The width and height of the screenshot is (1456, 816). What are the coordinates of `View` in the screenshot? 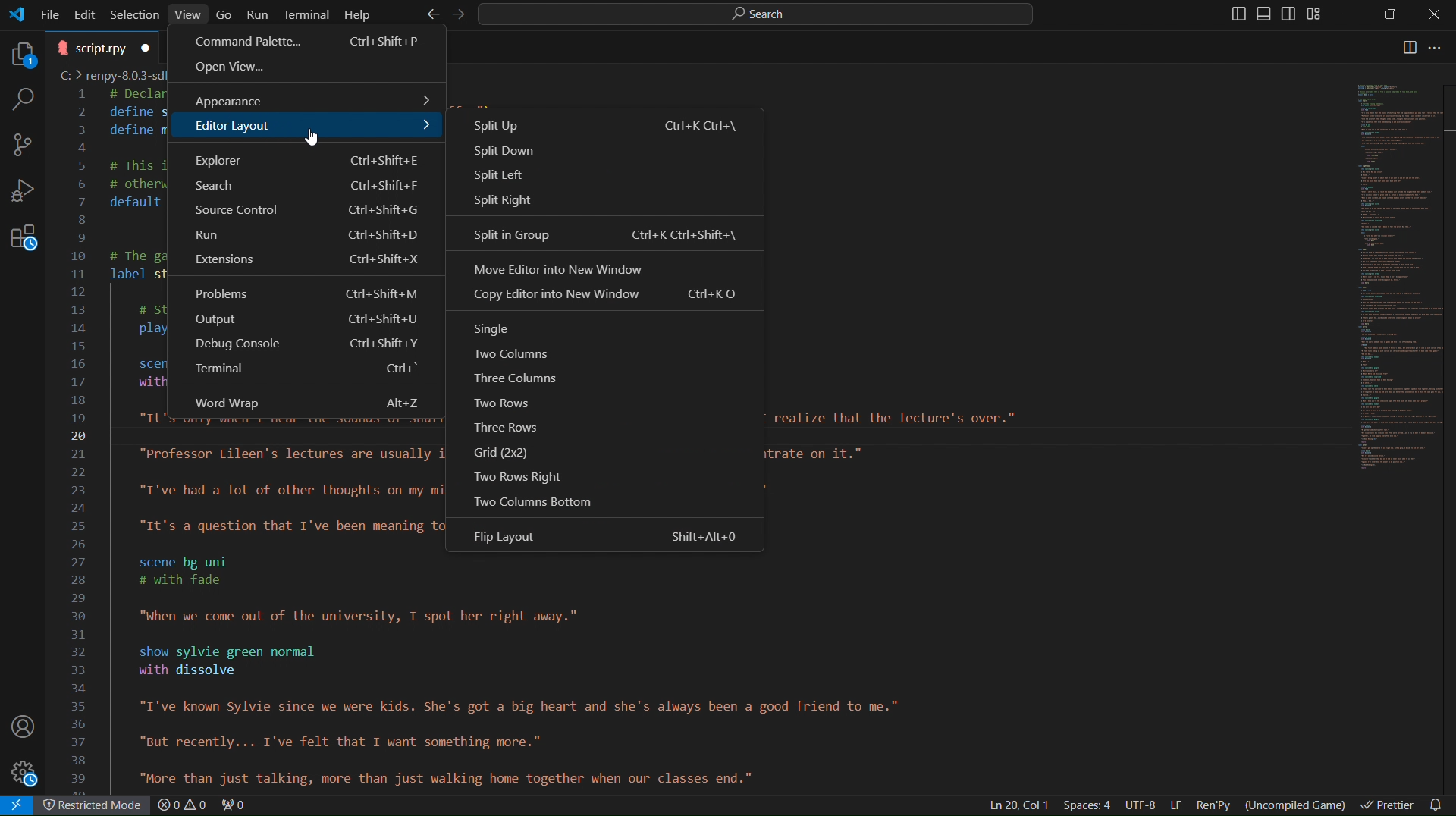 It's located at (189, 14).